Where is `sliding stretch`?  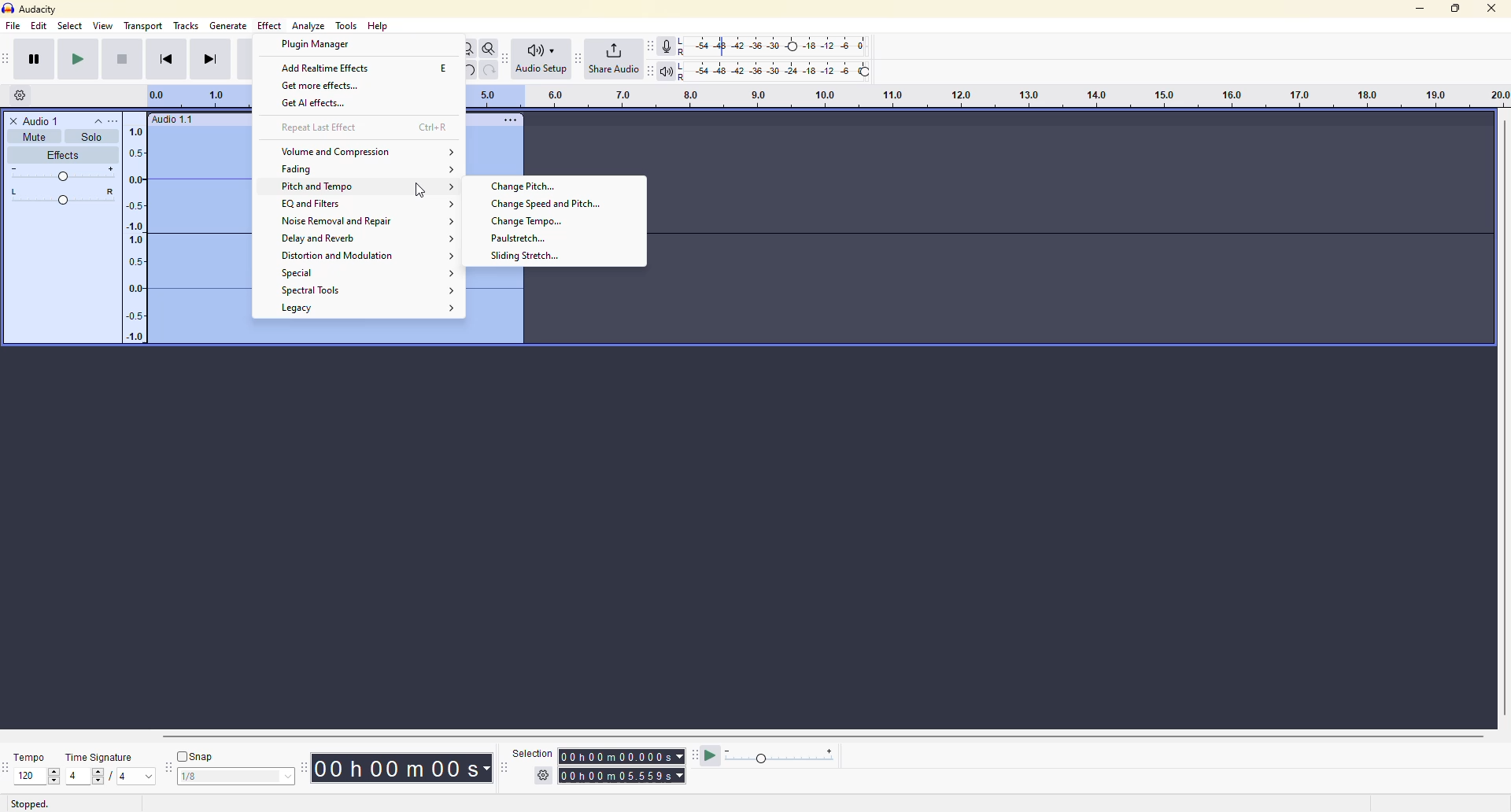 sliding stretch is located at coordinates (524, 255).